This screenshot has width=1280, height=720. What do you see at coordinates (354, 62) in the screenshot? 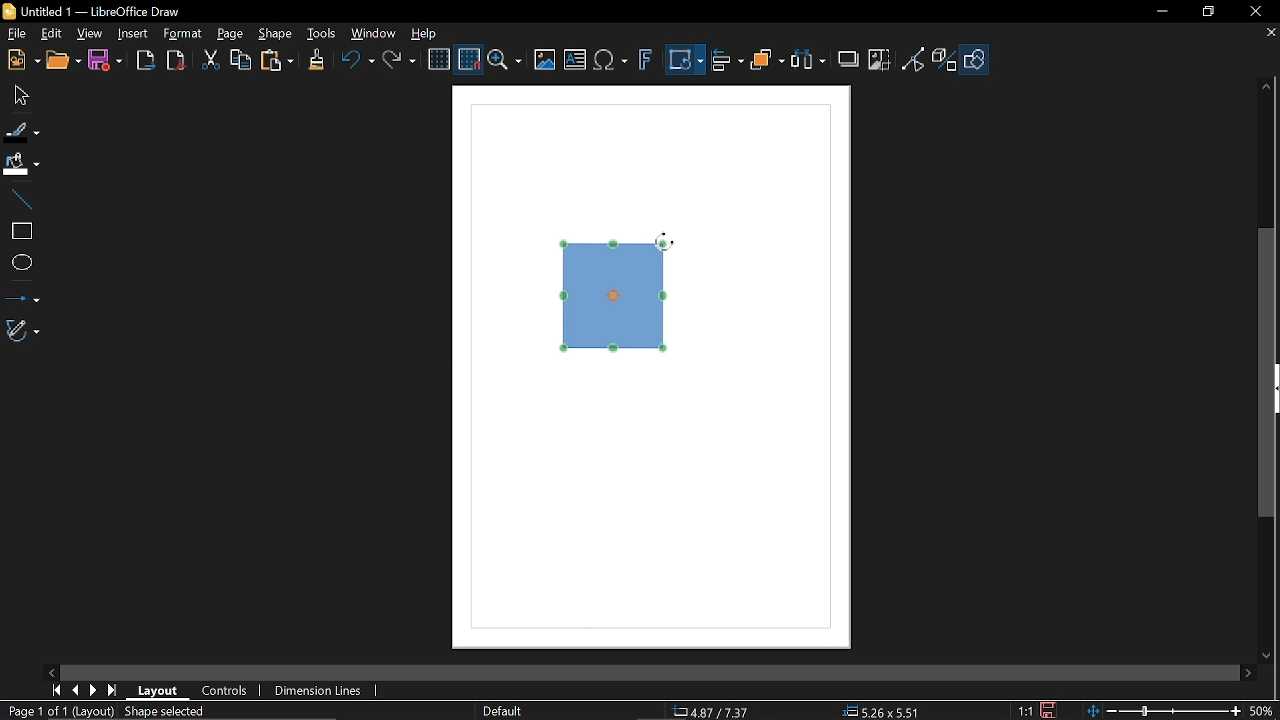
I see `Undo` at bounding box center [354, 62].